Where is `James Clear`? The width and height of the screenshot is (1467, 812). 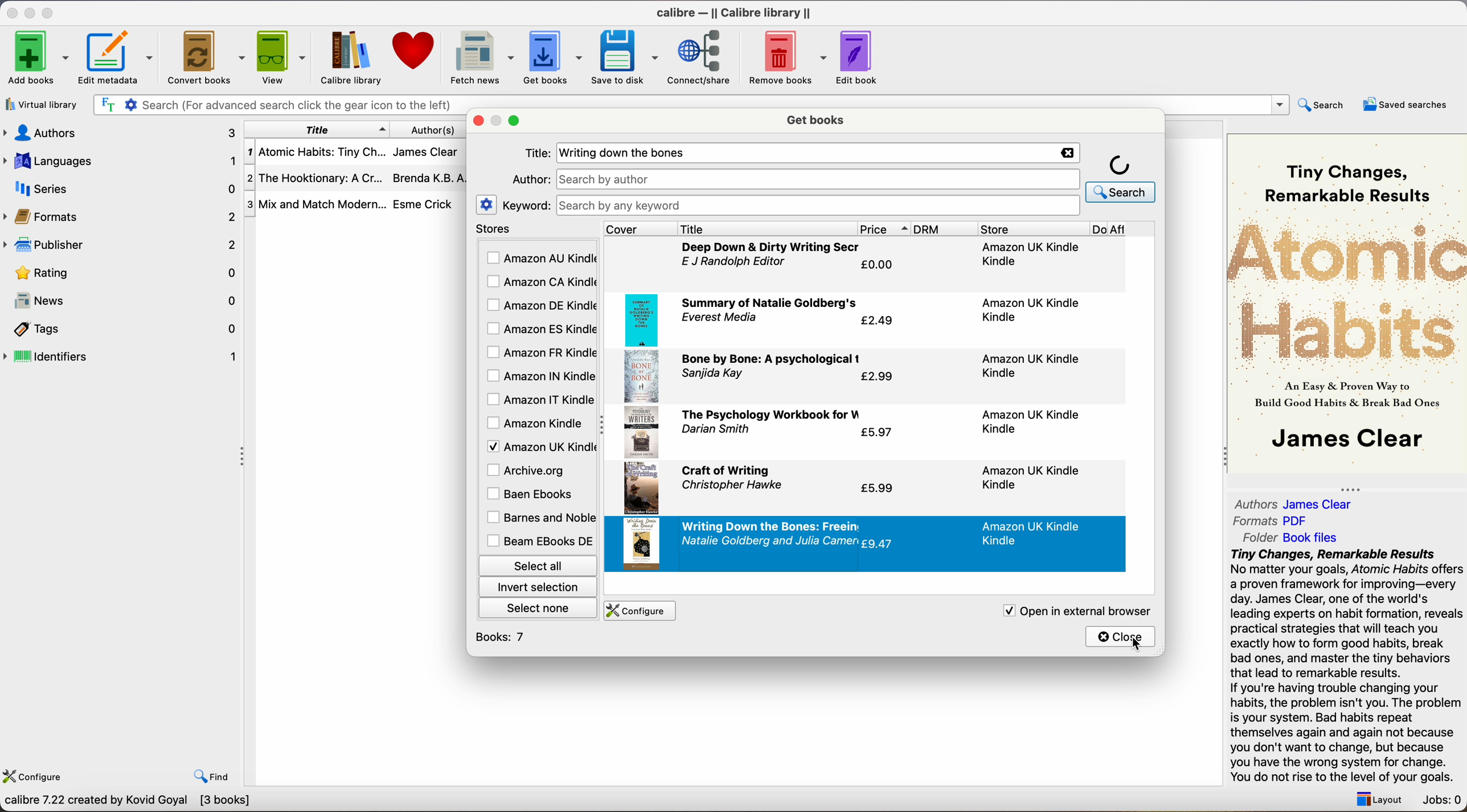 James Clear is located at coordinates (425, 150).